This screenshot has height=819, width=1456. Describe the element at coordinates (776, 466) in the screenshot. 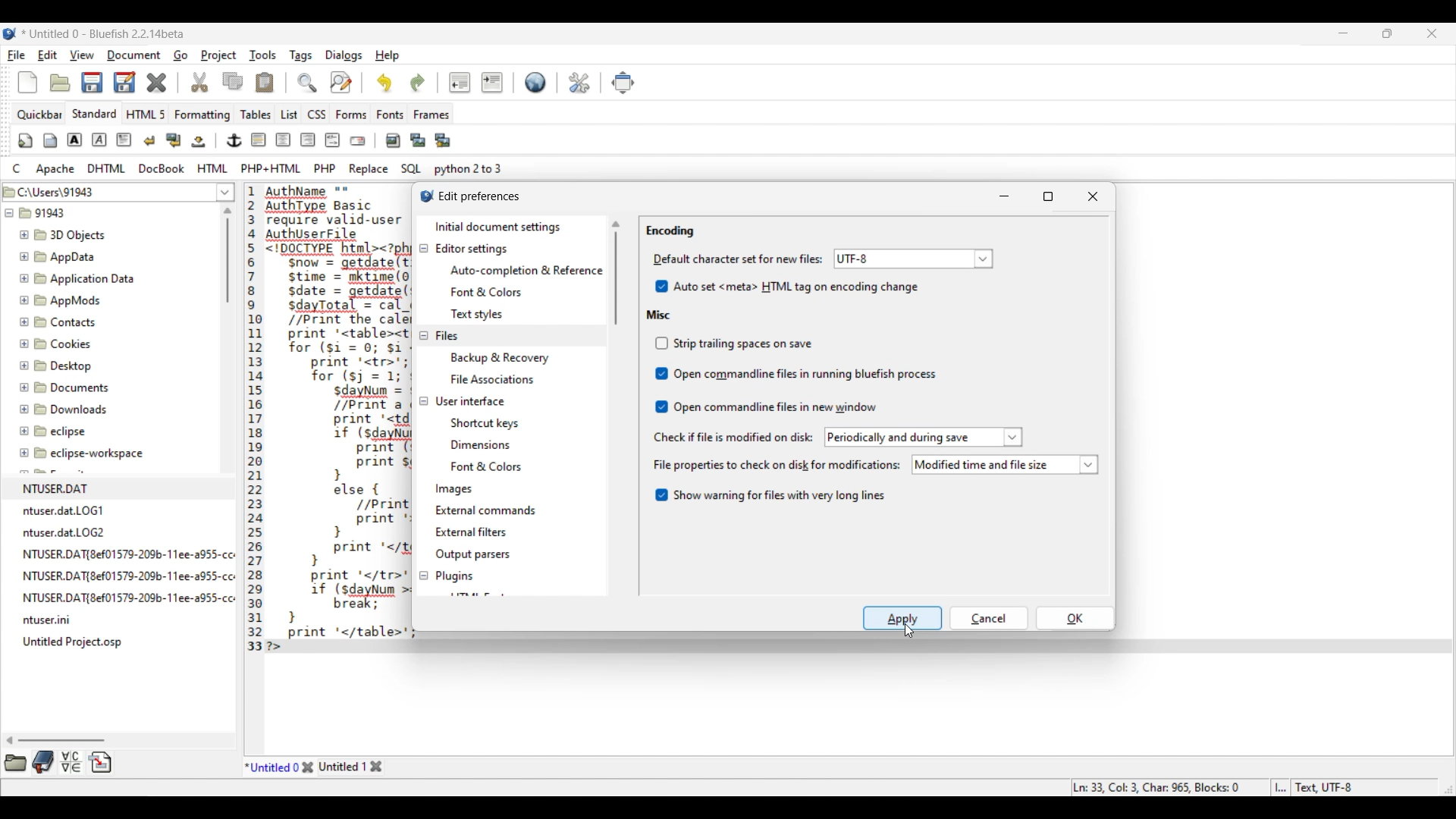

I see `Indicates file properties to check on disk for modification` at that location.